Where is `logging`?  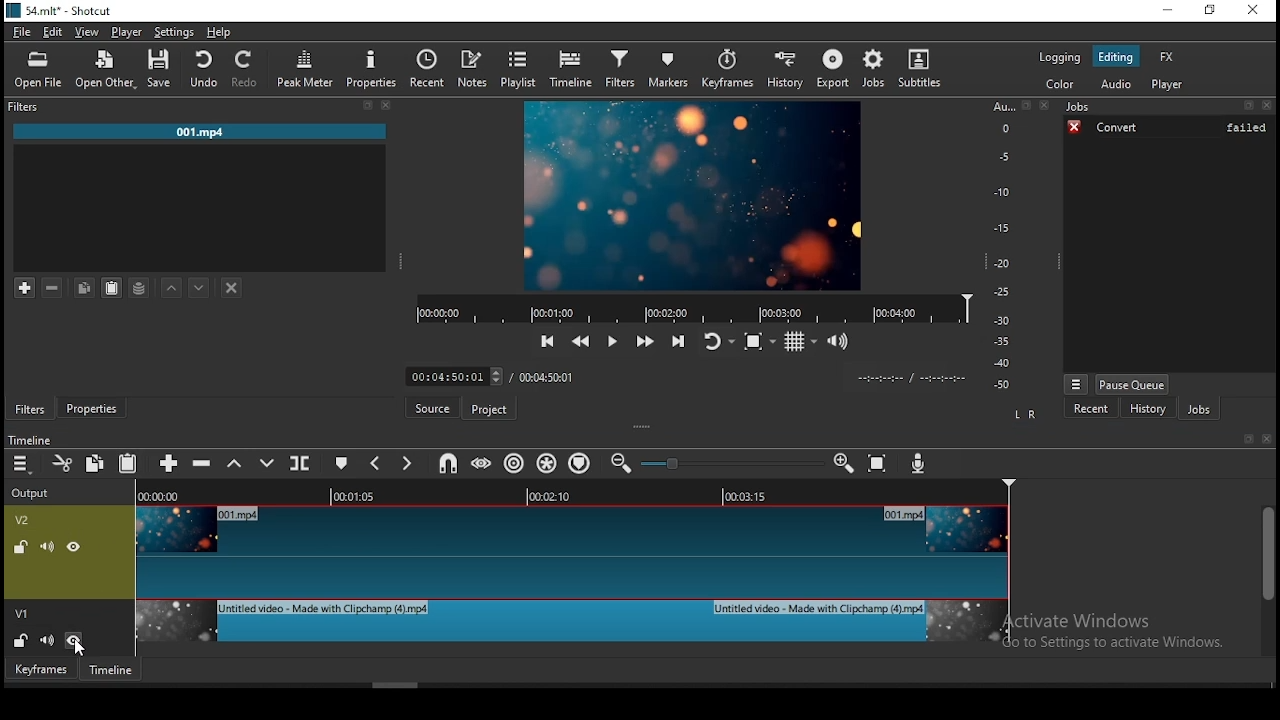
logging is located at coordinates (1061, 58).